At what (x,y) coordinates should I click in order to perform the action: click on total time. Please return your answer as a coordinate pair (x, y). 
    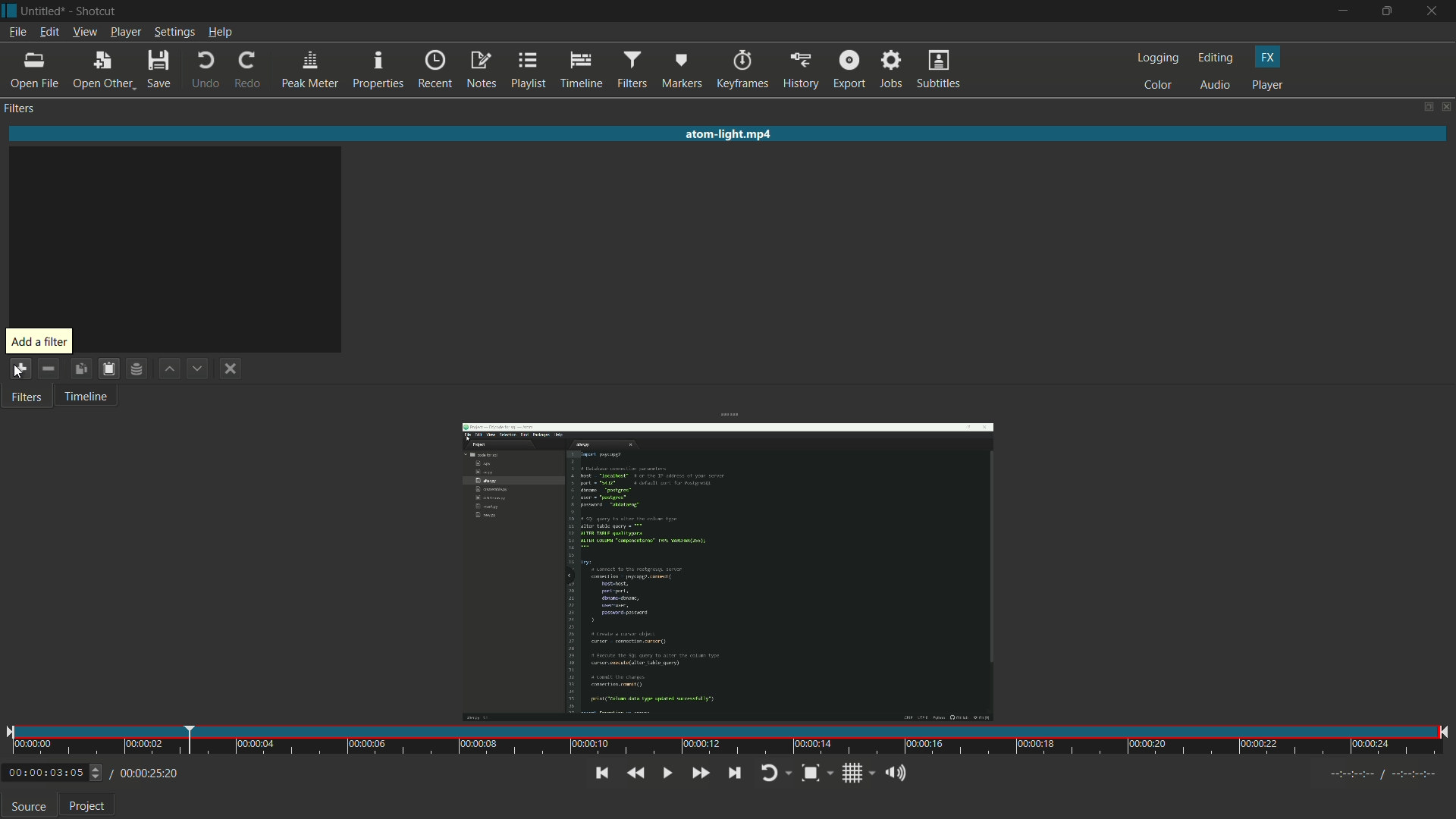
    Looking at the image, I should click on (147, 773).